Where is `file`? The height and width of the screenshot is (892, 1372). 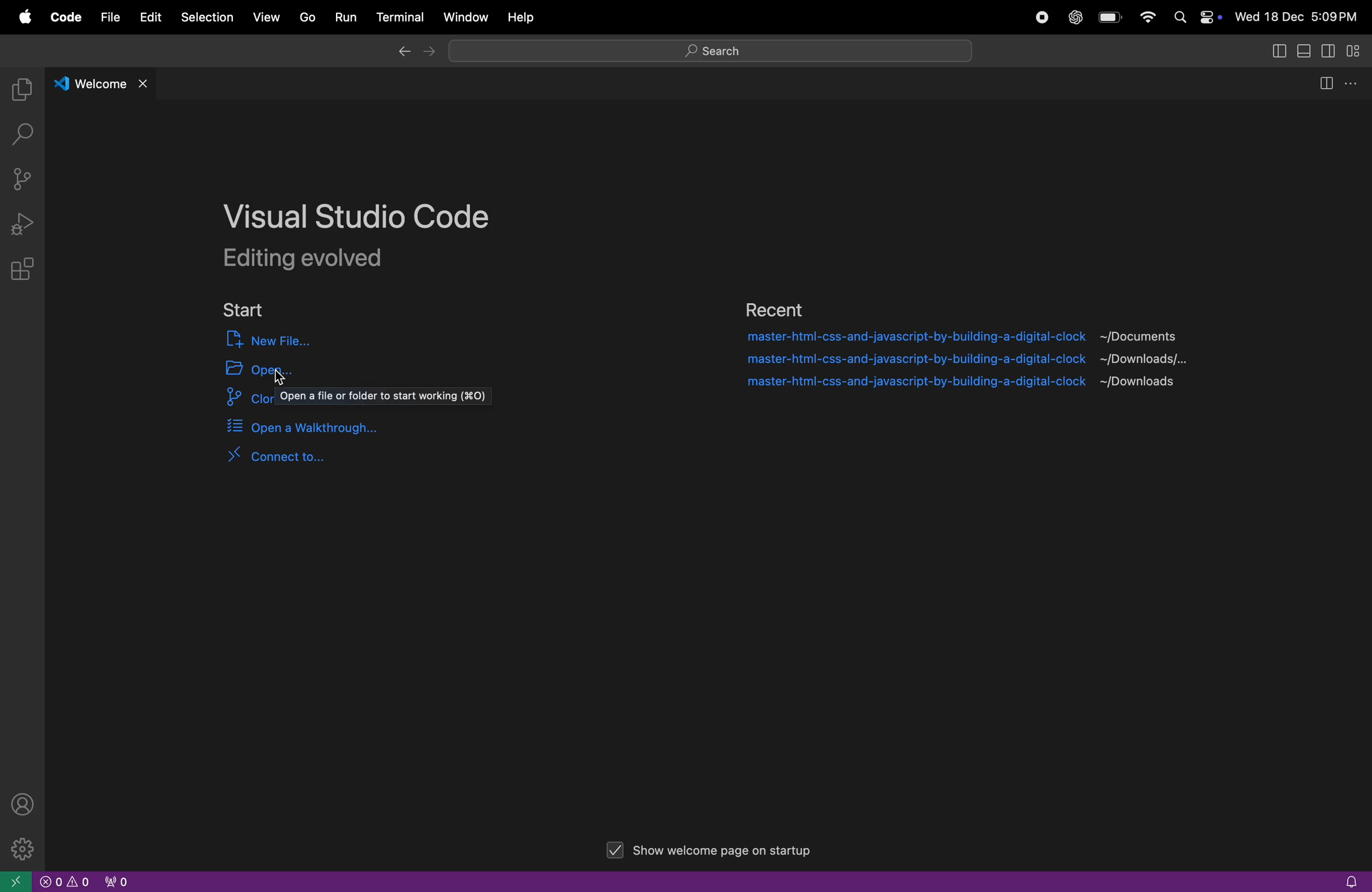 file is located at coordinates (107, 17).